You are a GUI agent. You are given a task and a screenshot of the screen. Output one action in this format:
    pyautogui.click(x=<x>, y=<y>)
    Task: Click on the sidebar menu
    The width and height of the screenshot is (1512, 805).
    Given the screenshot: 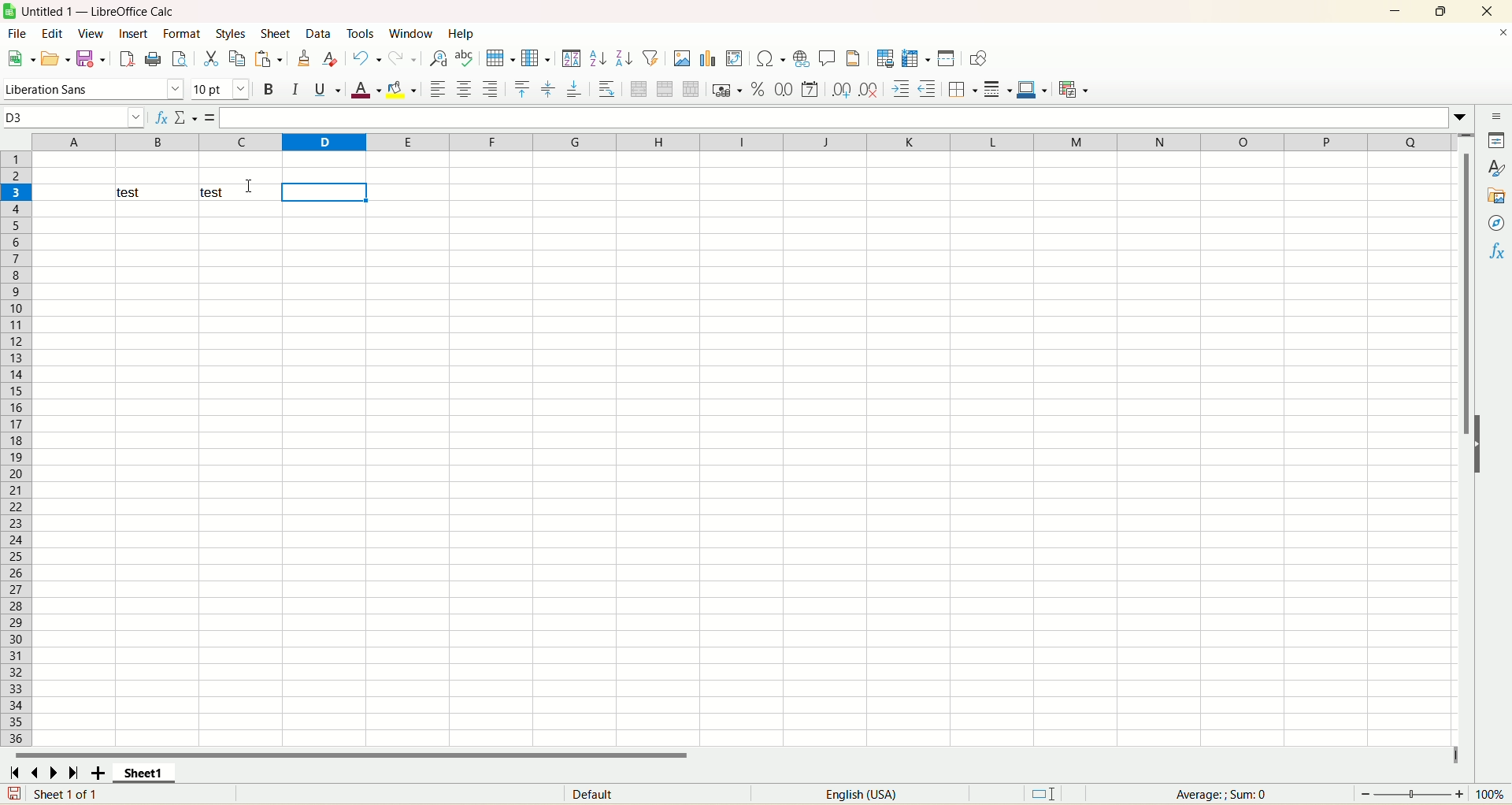 What is the action you would take?
    pyautogui.click(x=1495, y=116)
    